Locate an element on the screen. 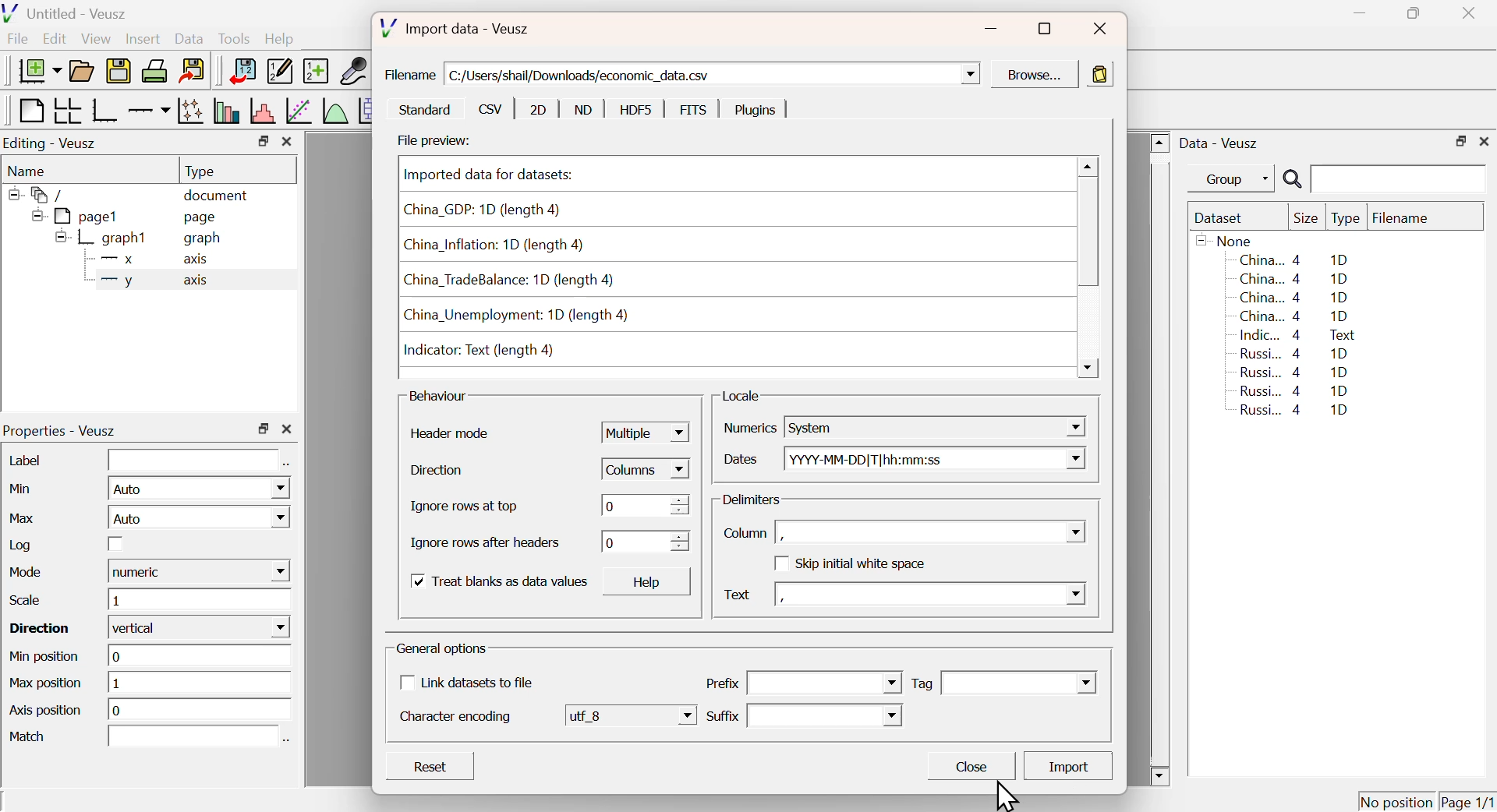 The height and width of the screenshot is (812, 1497). Close is located at coordinates (1485, 139).